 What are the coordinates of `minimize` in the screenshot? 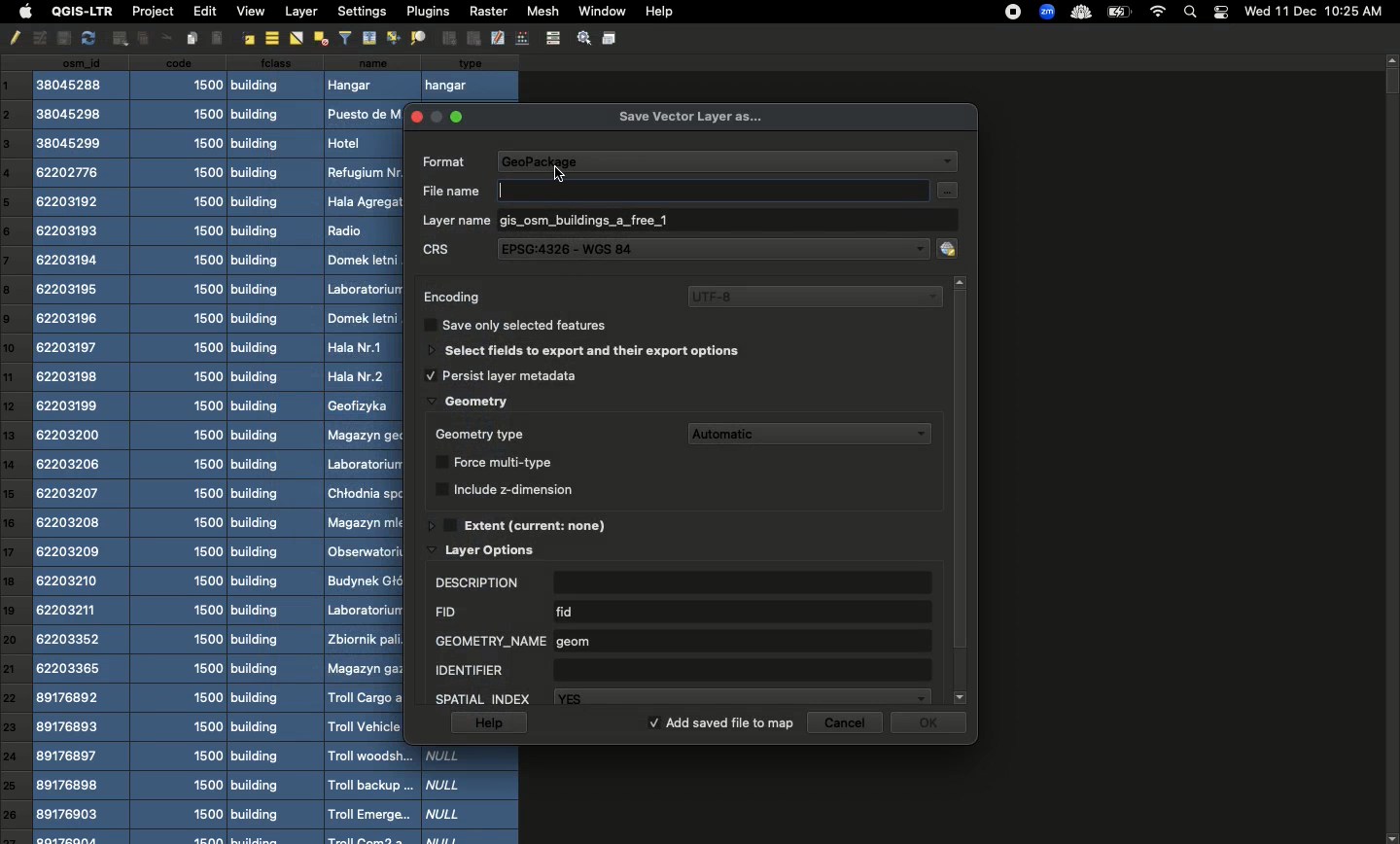 It's located at (438, 124).